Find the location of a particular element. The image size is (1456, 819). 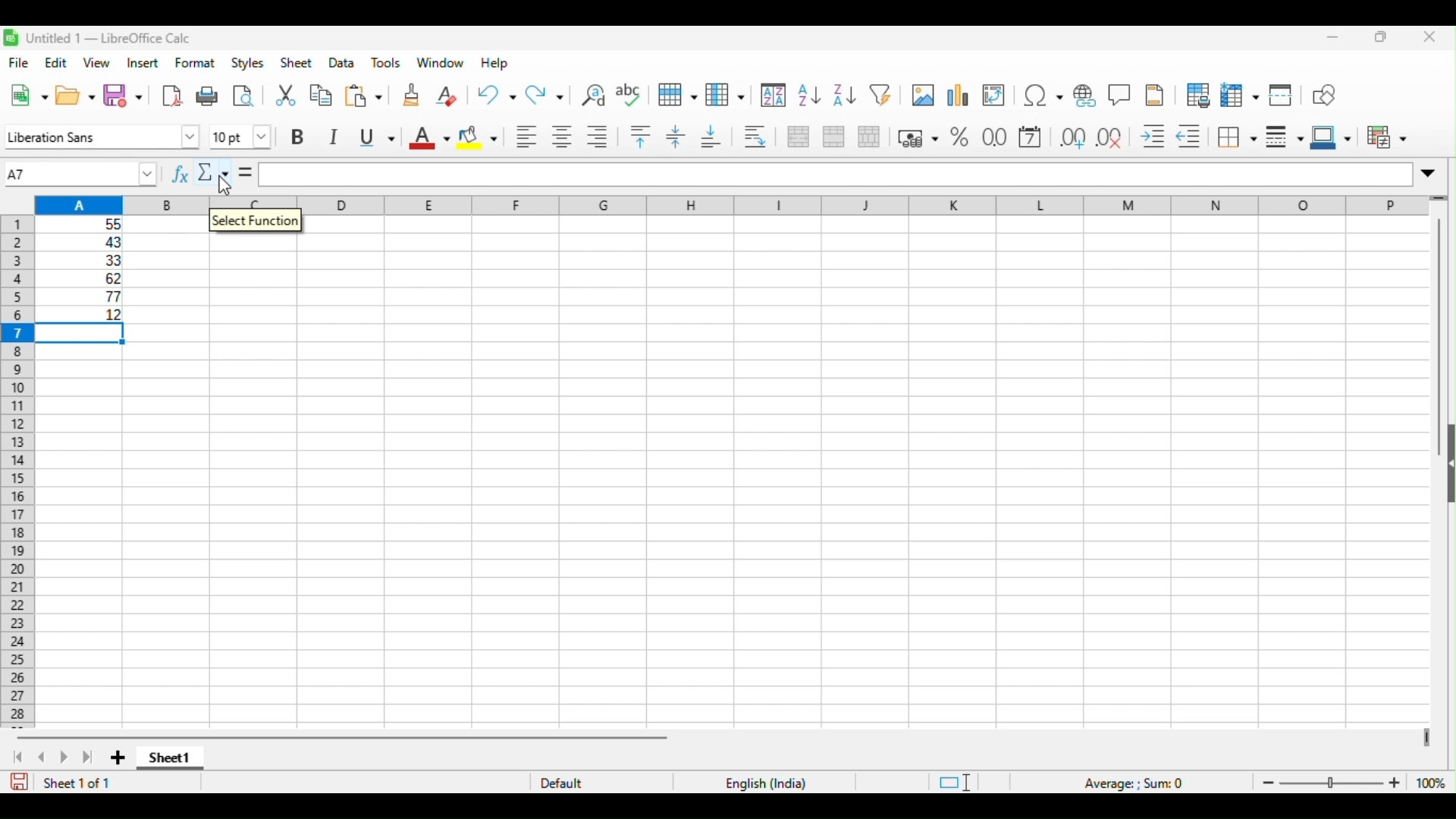

format as currency is located at coordinates (918, 138).